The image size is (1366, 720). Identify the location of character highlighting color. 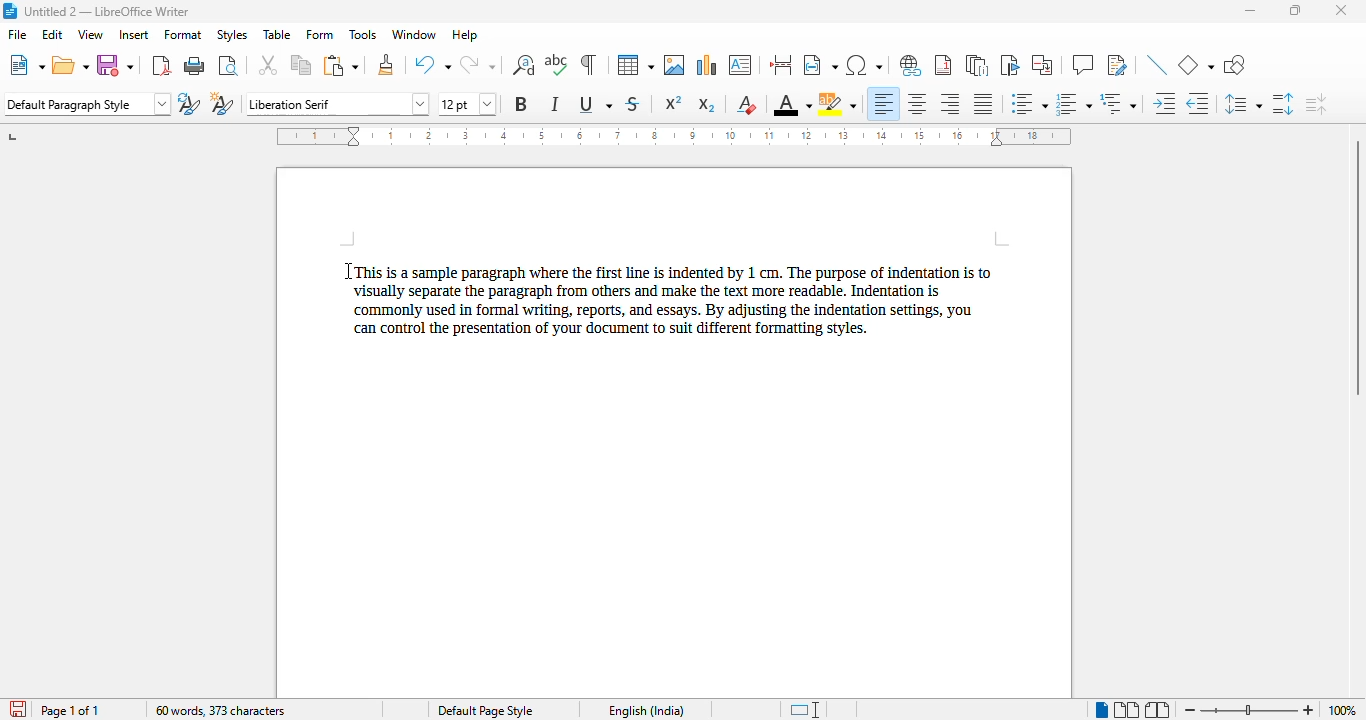
(838, 104).